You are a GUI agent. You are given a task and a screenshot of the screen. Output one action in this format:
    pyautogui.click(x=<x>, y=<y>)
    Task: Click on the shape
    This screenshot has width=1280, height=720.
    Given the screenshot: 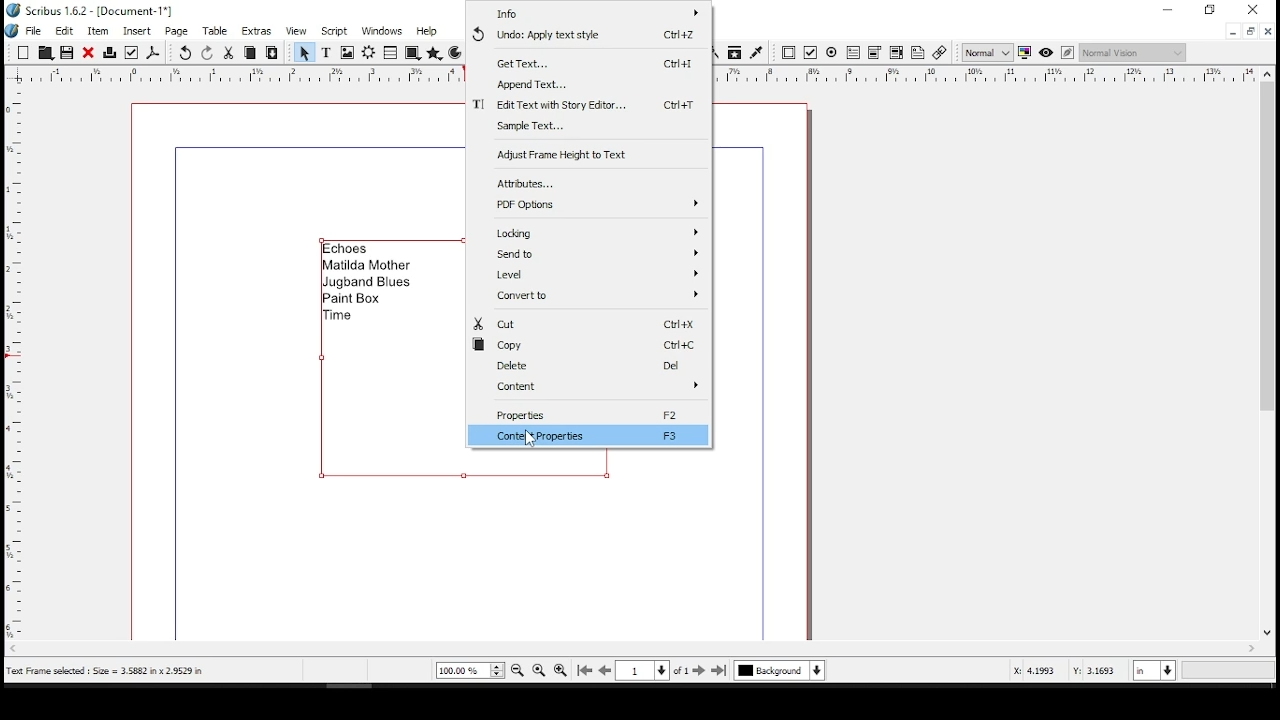 What is the action you would take?
    pyautogui.click(x=411, y=52)
    